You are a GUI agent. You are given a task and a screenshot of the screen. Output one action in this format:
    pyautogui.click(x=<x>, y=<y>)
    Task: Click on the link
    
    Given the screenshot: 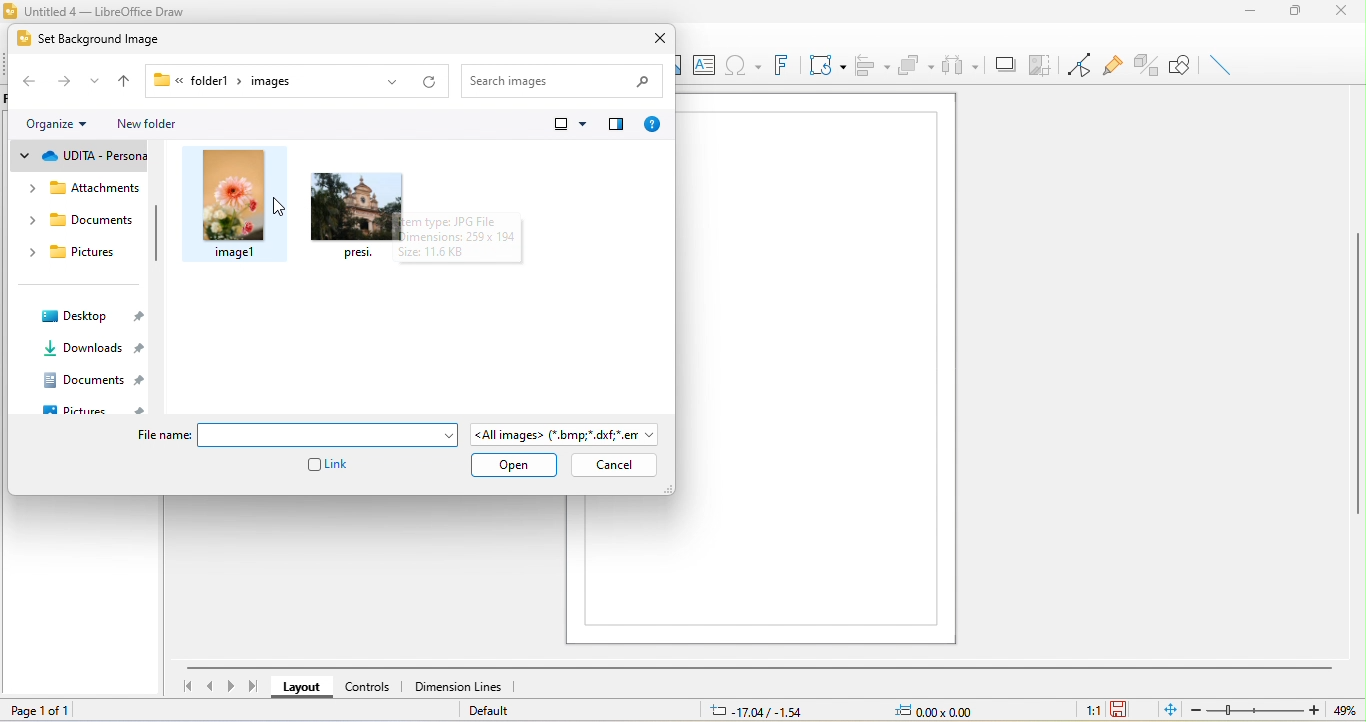 What is the action you would take?
    pyautogui.click(x=330, y=466)
    